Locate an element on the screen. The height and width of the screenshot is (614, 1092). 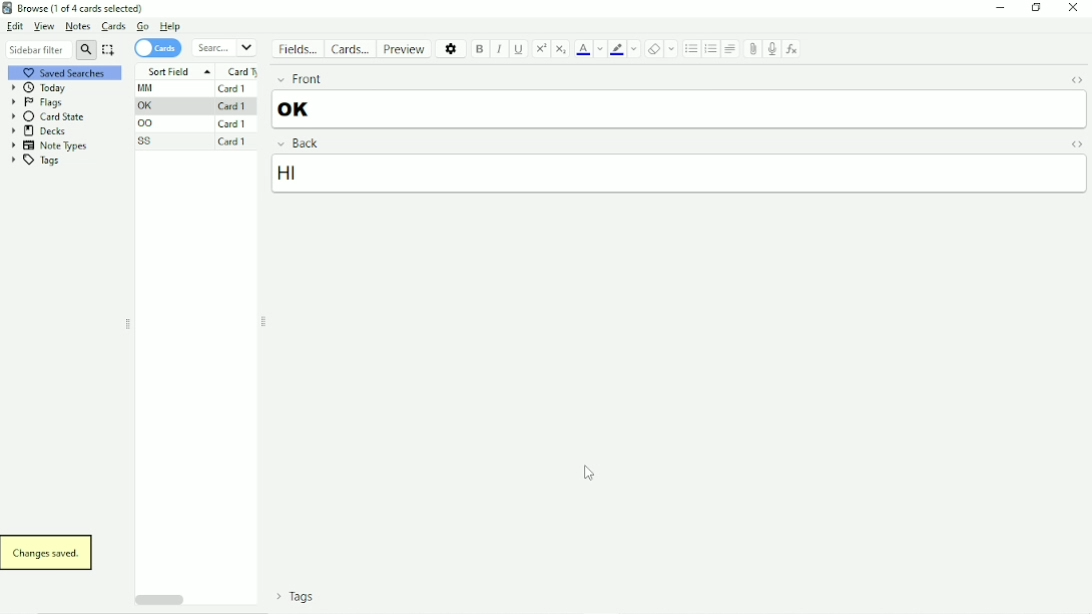
Toggle HTML Editor is located at coordinates (1074, 80).